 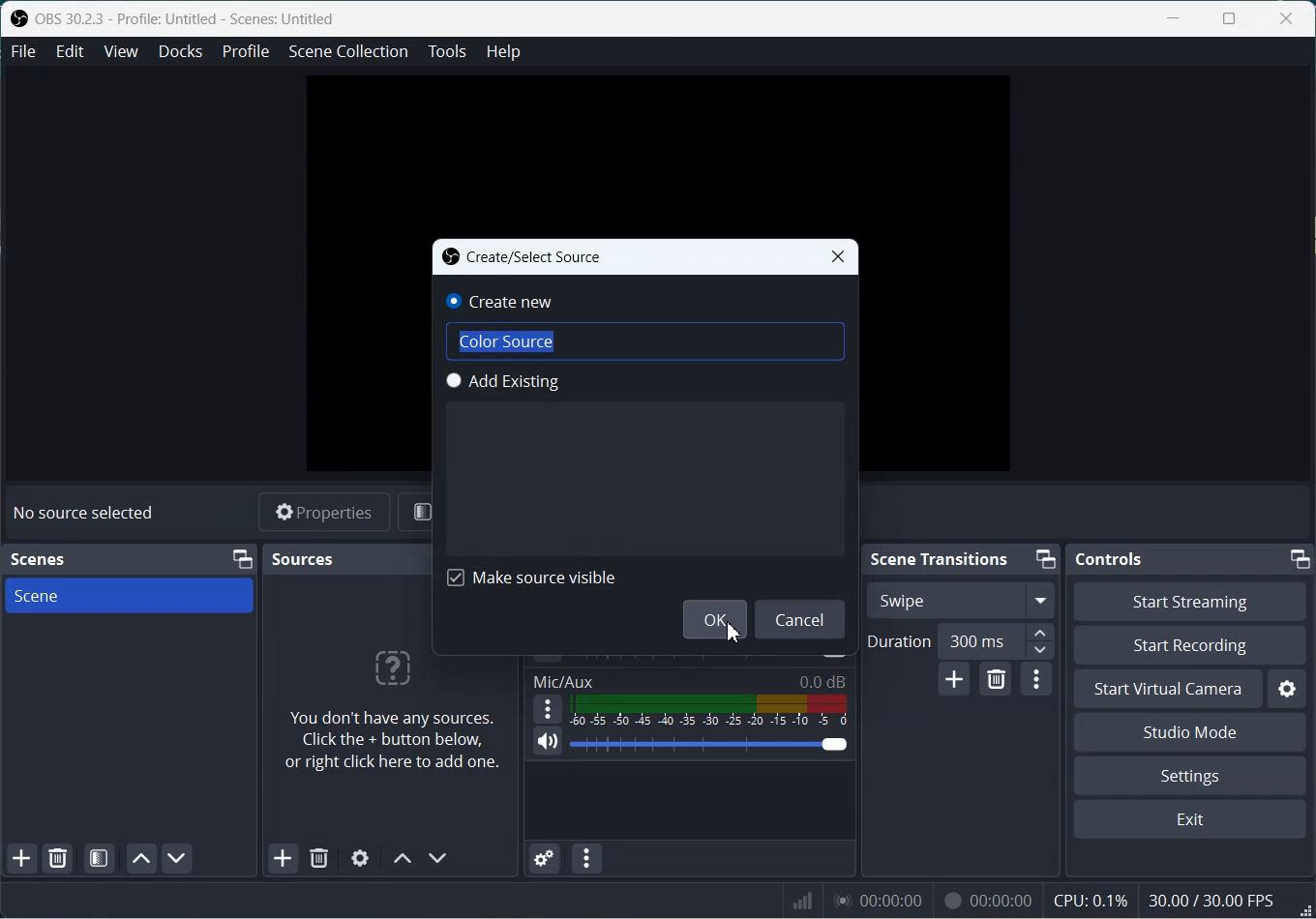 I want to click on Minimize, so click(x=1045, y=559).